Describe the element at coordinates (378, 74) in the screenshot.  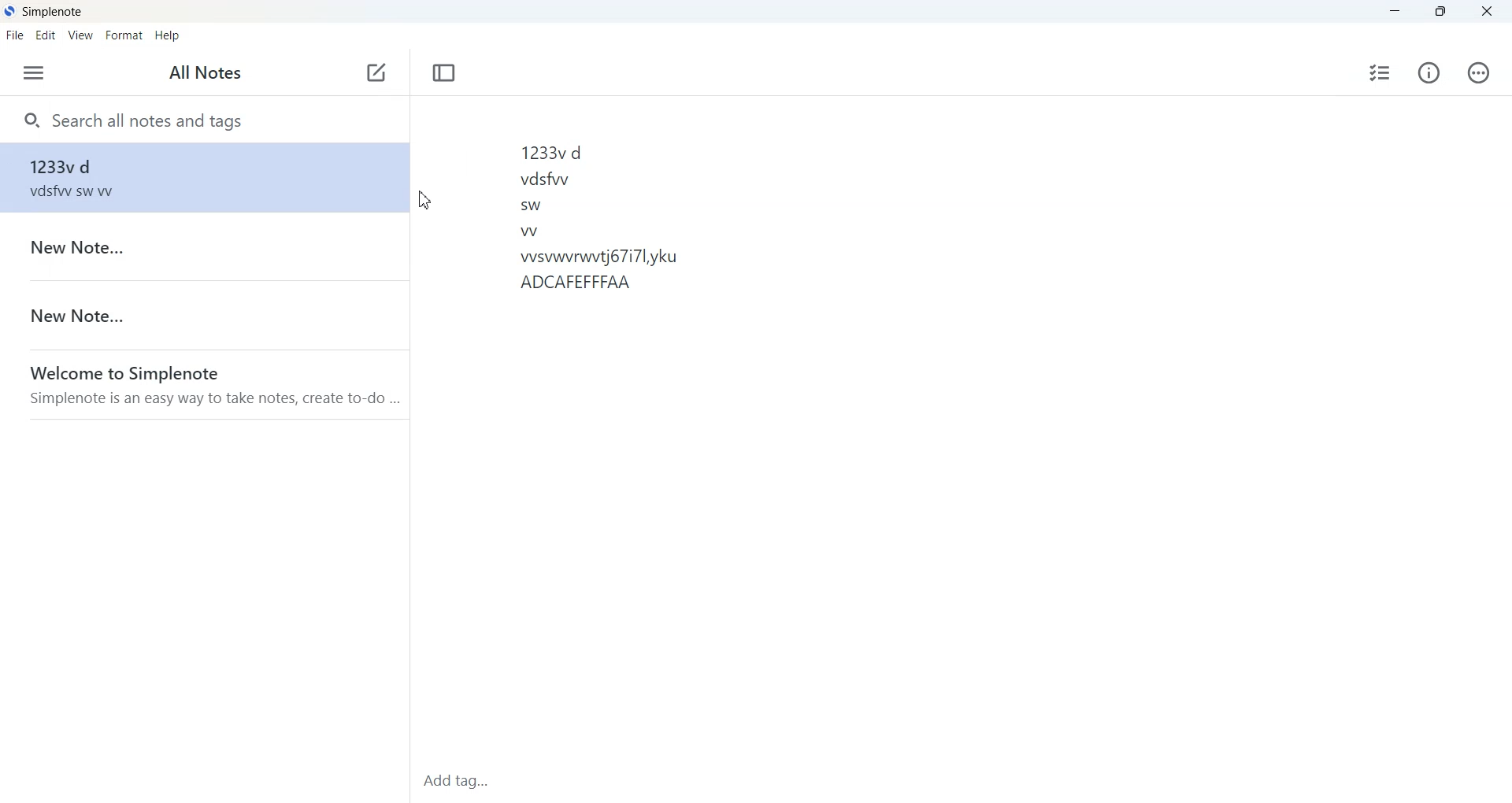
I see `New note` at that location.